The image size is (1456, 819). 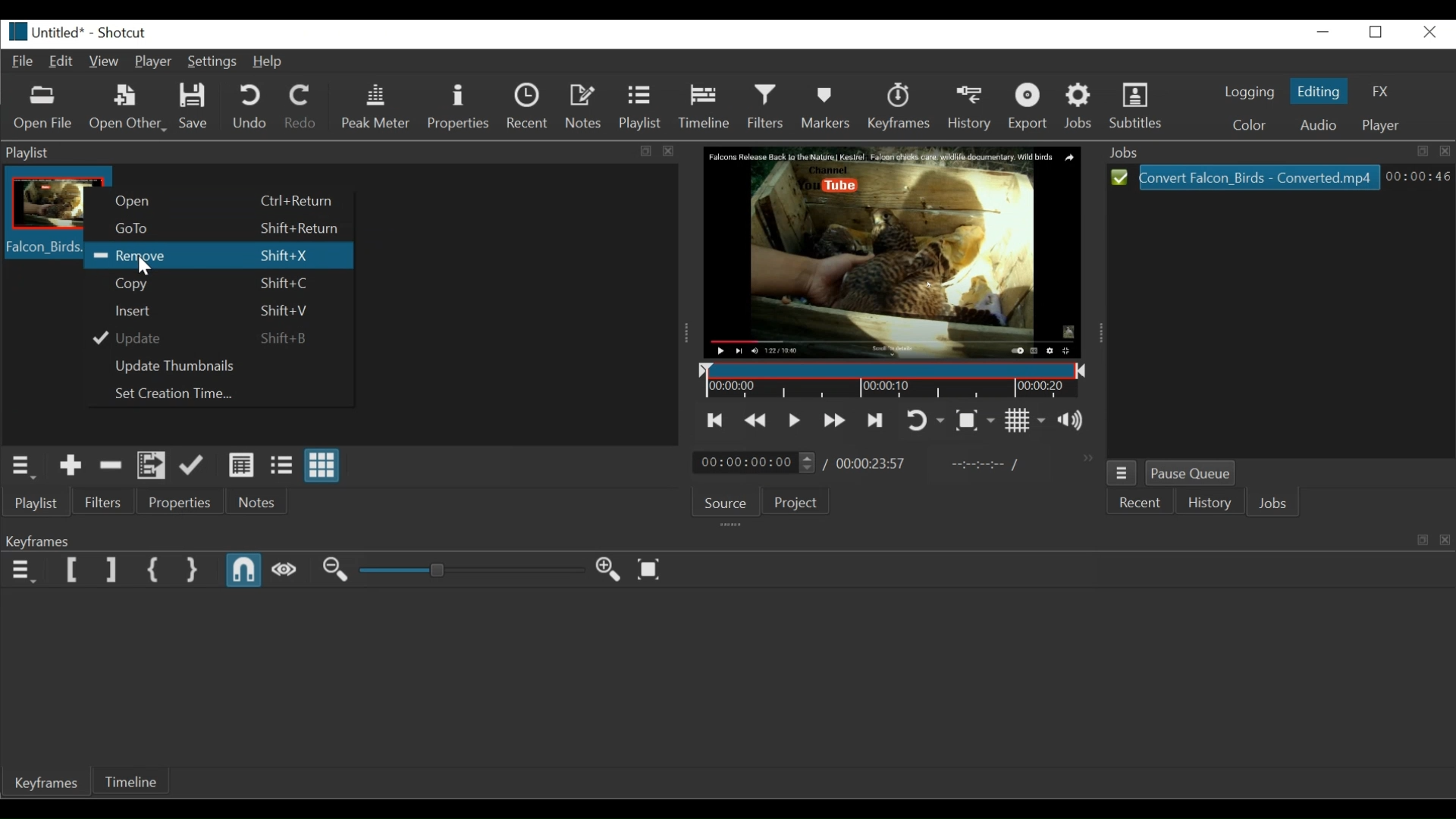 What do you see at coordinates (1317, 91) in the screenshot?
I see `Editing` at bounding box center [1317, 91].